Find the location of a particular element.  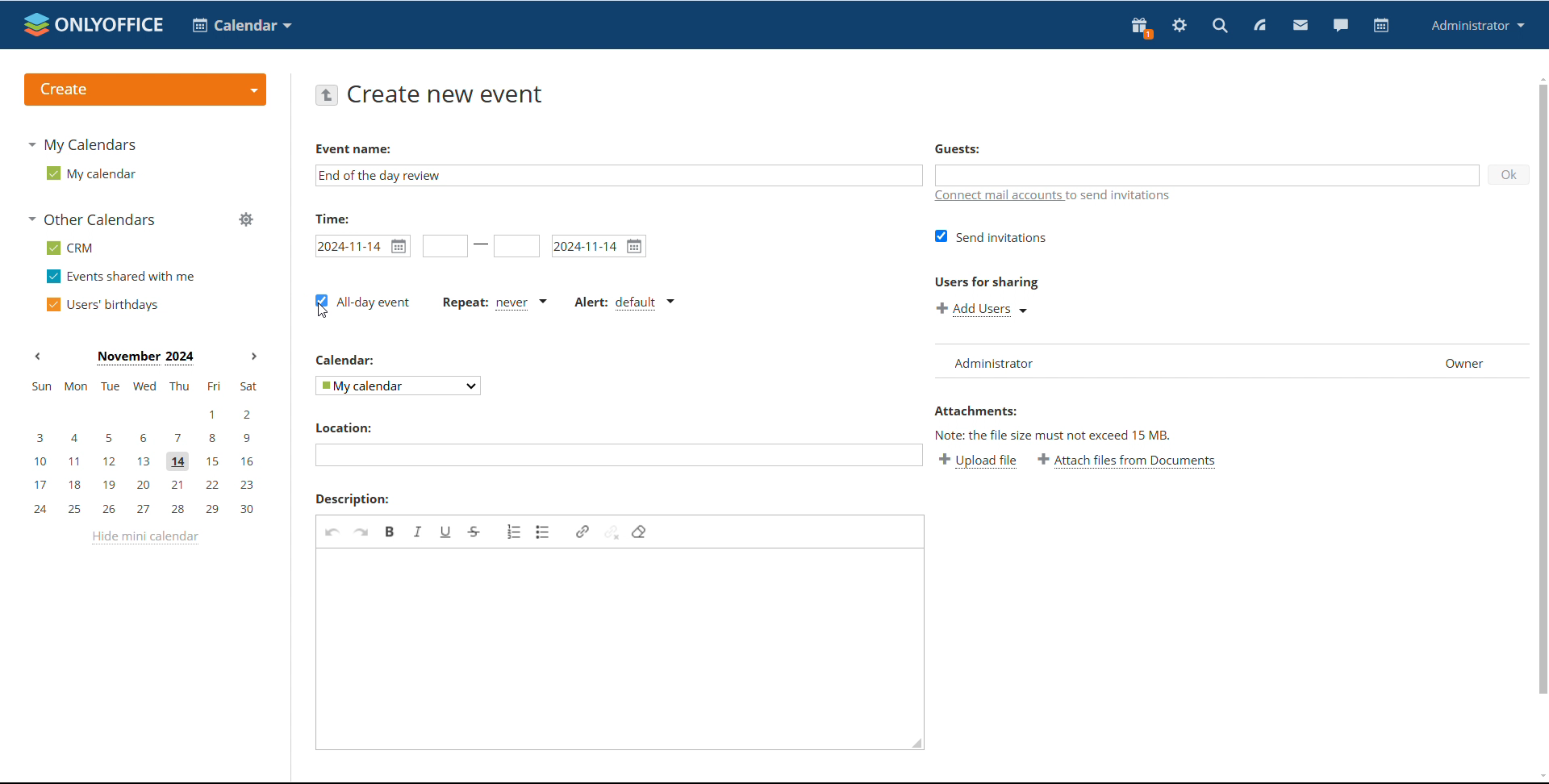

link is located at coordinates (582, 532).